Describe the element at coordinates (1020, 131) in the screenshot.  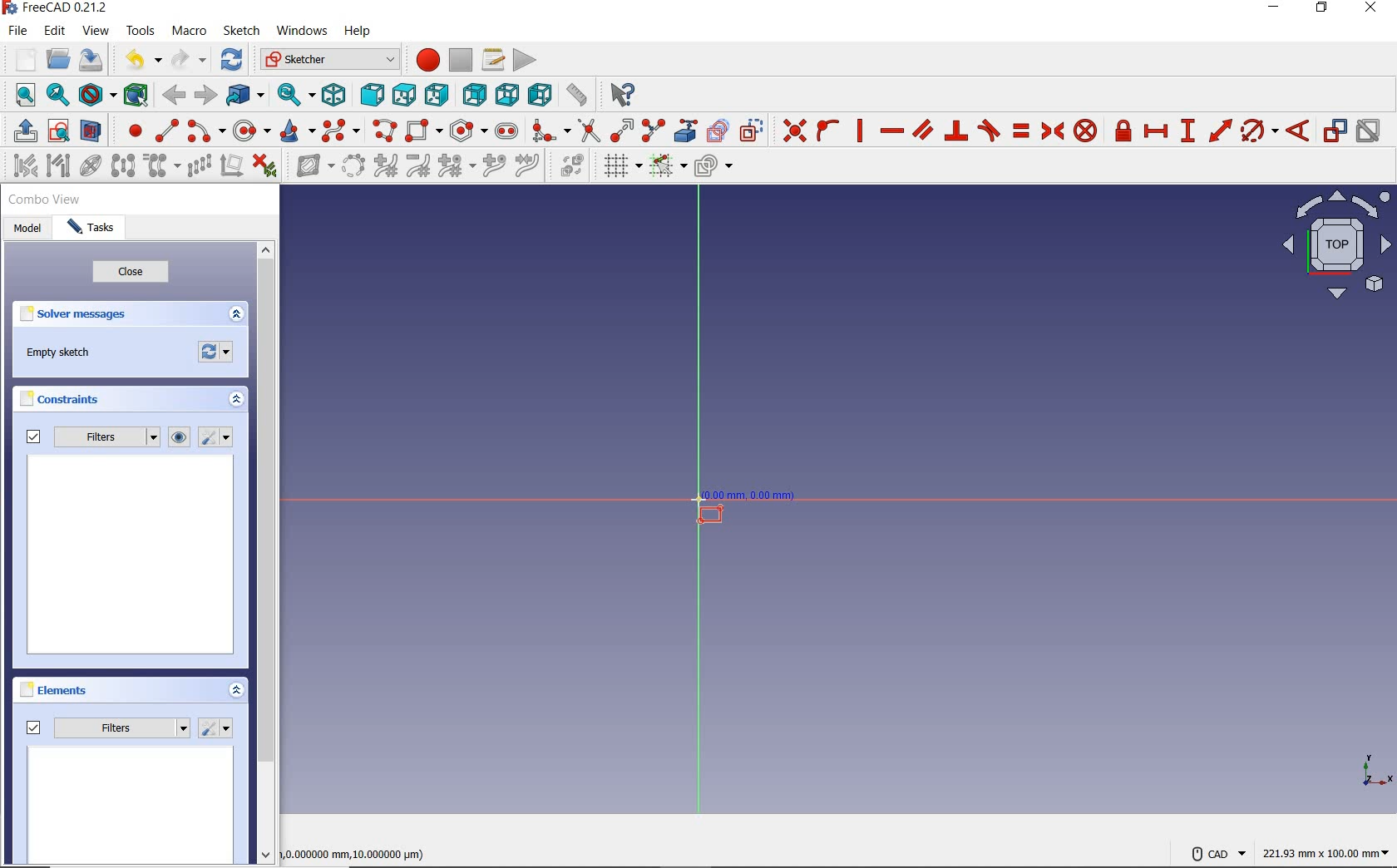
I see `constrain equal` at that location.